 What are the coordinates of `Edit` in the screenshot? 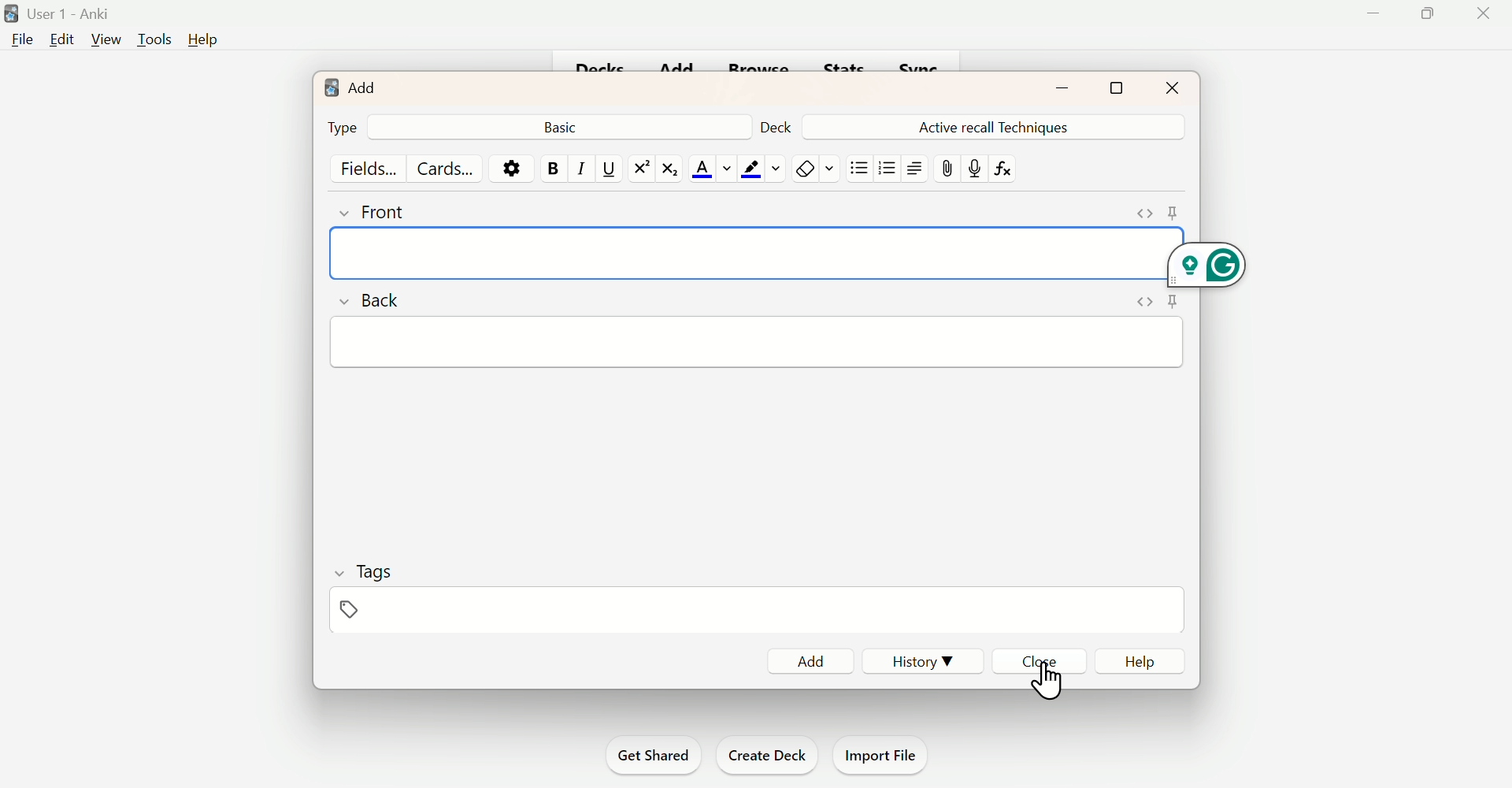 It's located at (61, 39).